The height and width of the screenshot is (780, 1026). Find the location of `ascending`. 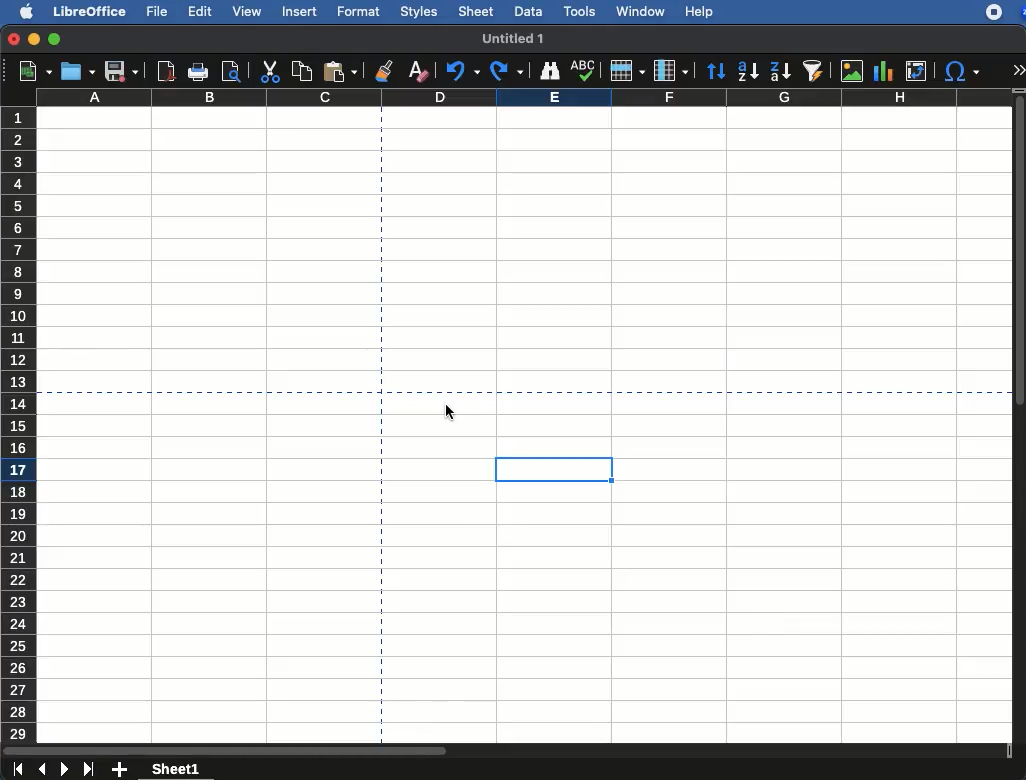

ascending is located at coordinates (747, 69).